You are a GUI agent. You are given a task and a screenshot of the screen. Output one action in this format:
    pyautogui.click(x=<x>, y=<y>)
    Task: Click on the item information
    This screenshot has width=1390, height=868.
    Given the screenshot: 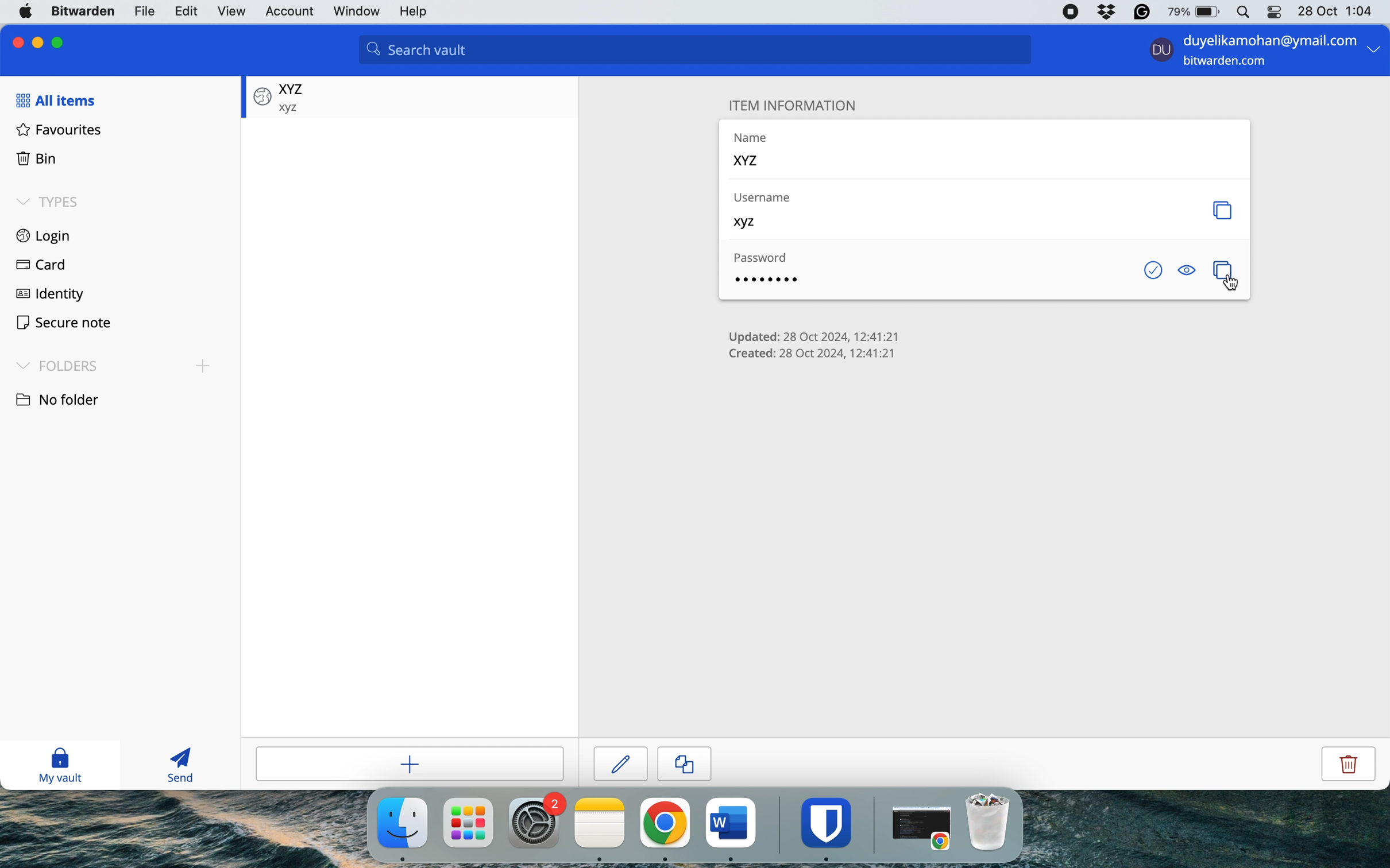 What is the action you would take?
    pyautogui.click(x=804, y=103)
    